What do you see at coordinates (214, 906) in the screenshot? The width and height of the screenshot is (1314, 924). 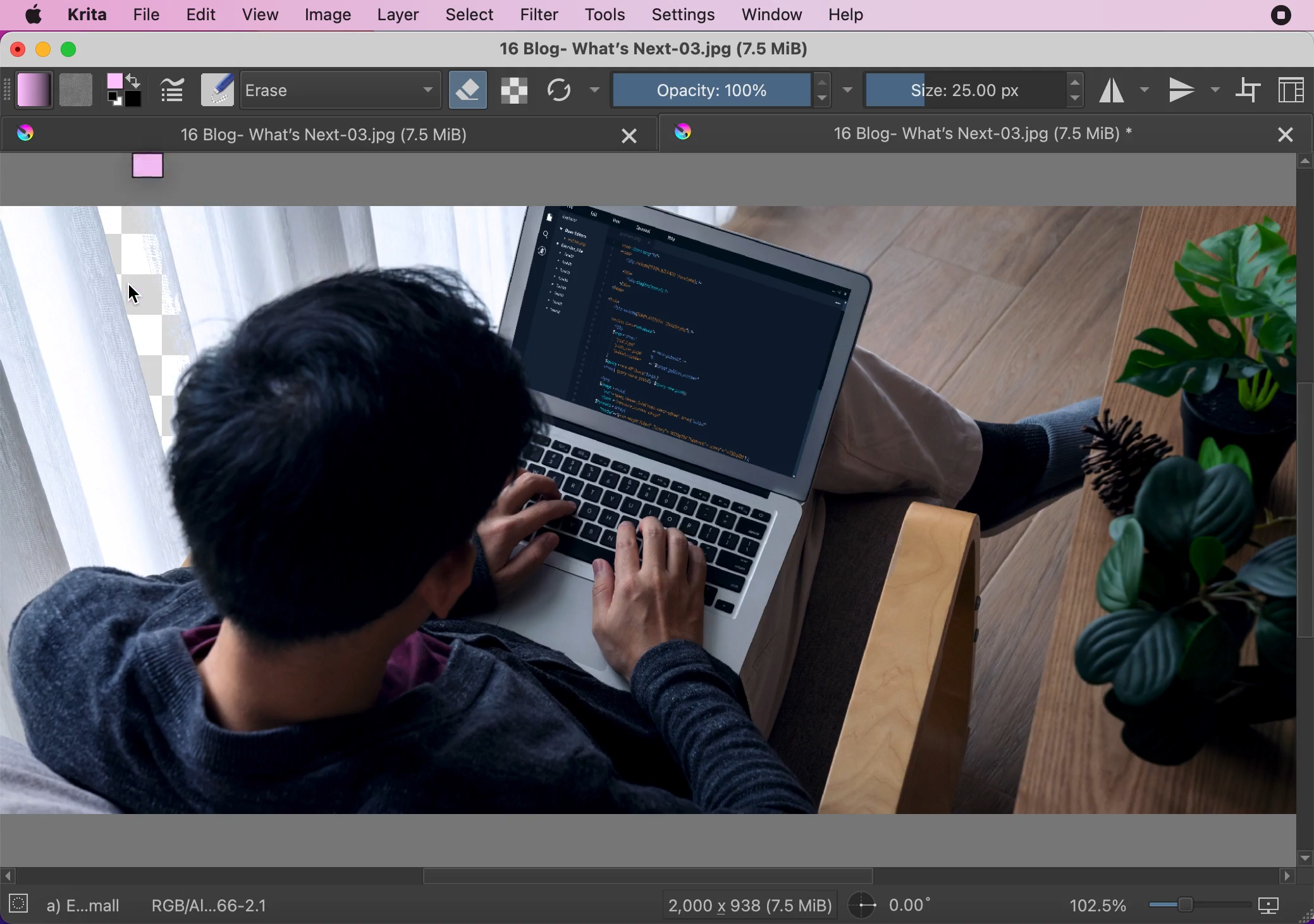 I see `RGB/AI...66-2.1` at bounding box center [214, 906].